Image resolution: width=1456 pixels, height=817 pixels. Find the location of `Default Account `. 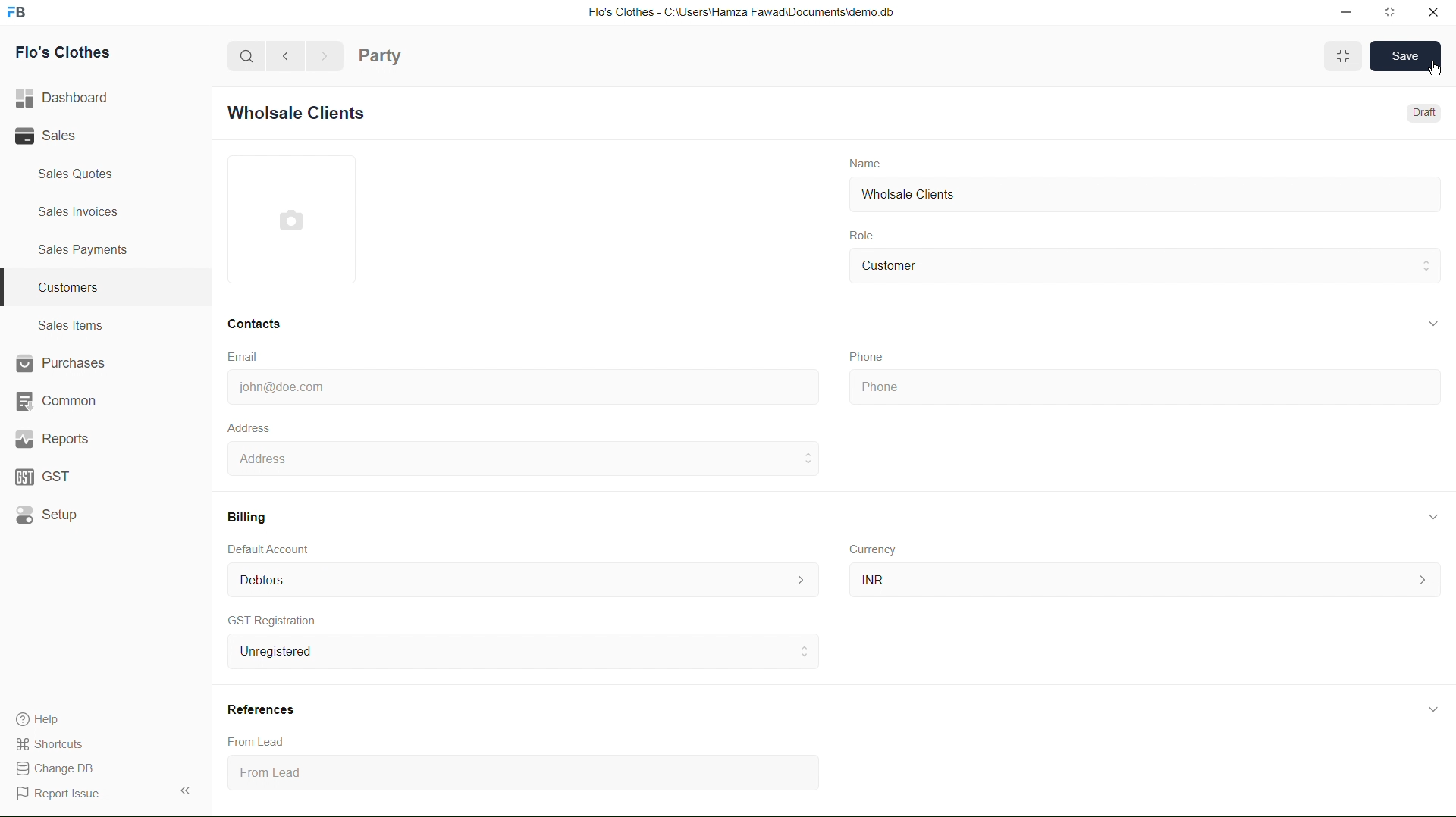

Default Account  is located at coordinates (522, 580).